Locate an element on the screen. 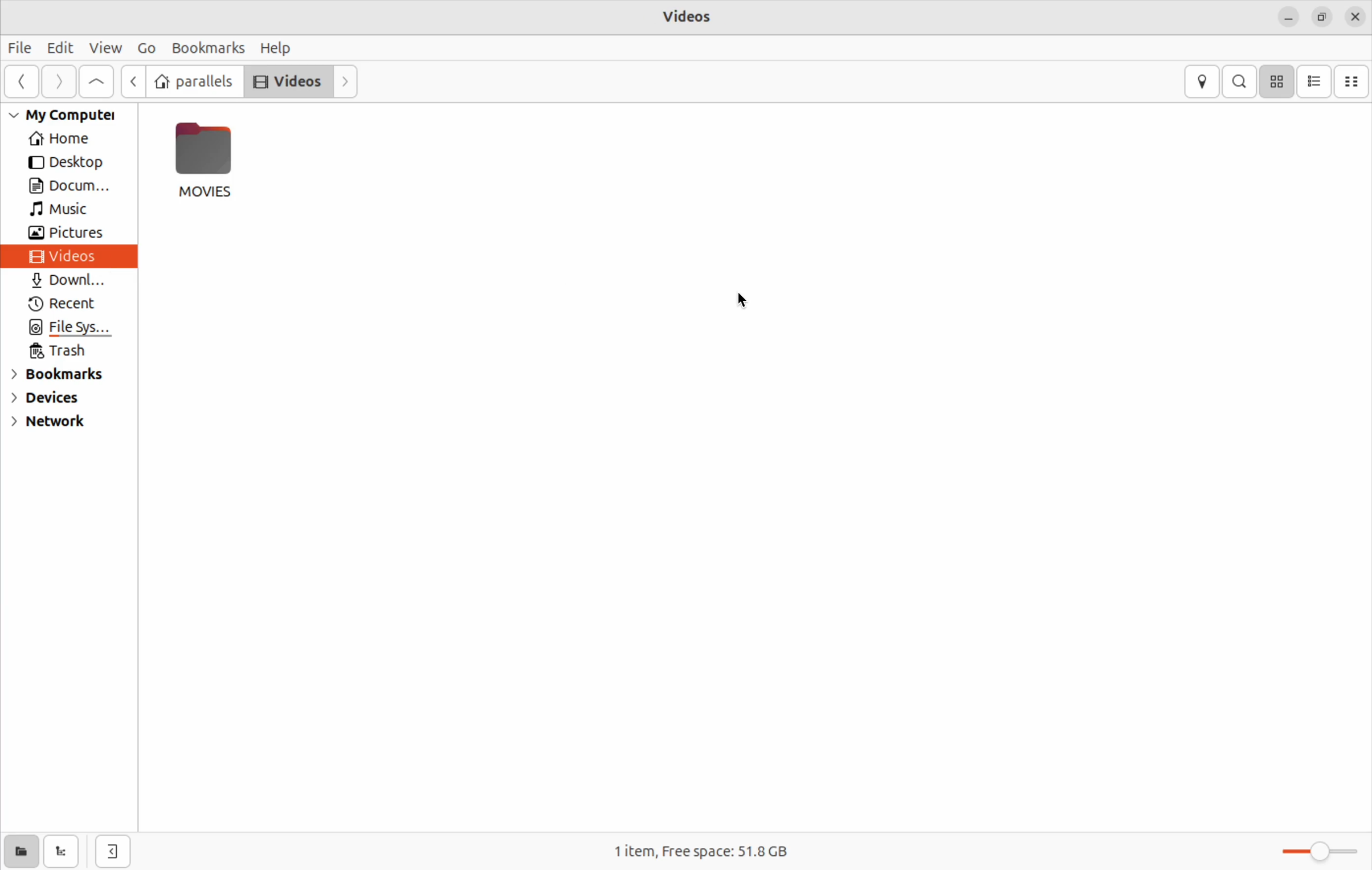  Devices is located at coordinates (52, 401).